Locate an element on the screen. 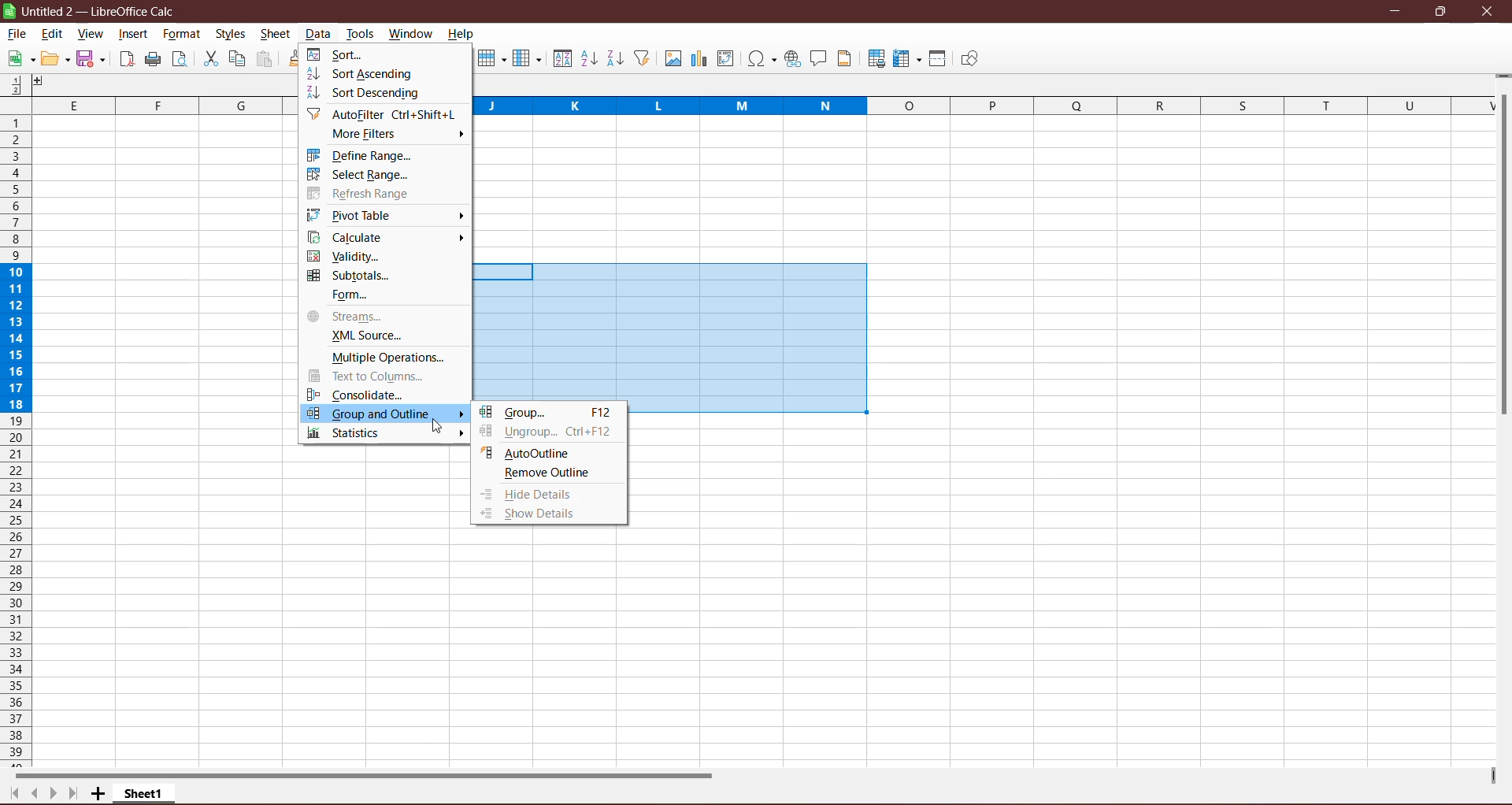 This screenshot has width=1512, height=805. Select Range is located at coordinates (360, 175).